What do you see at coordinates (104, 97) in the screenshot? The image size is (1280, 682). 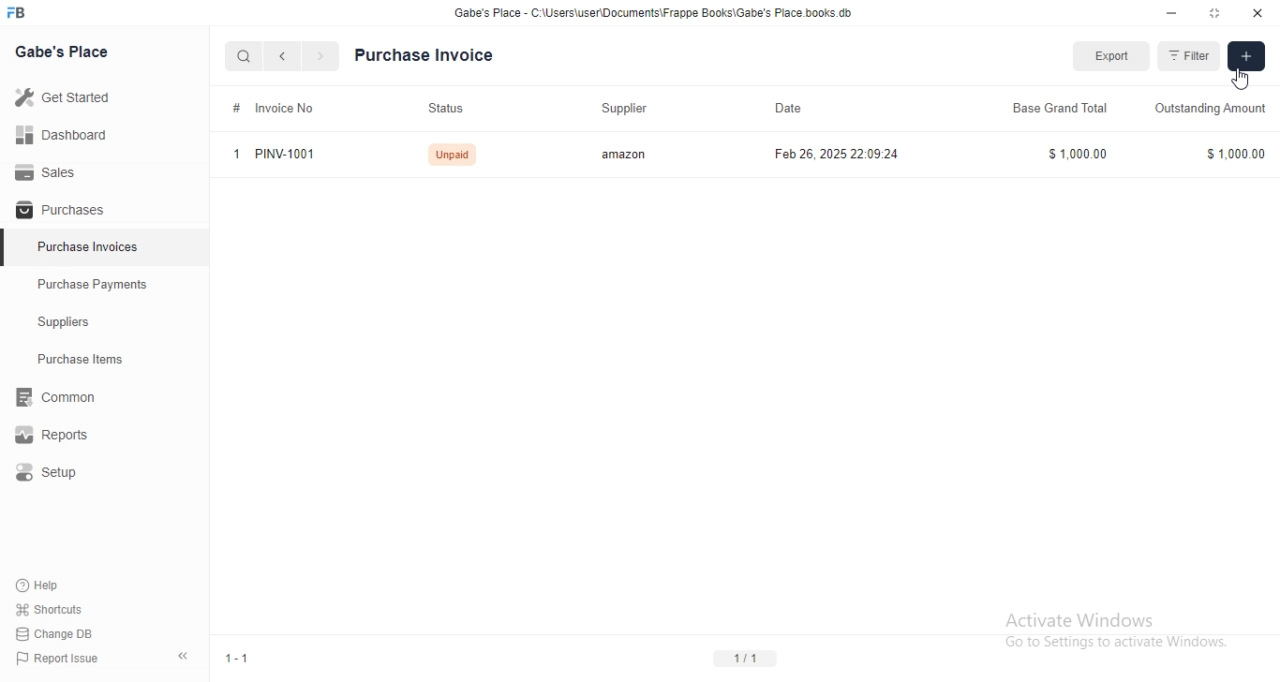 I see `Get Started` at bounding box center [104, 97].